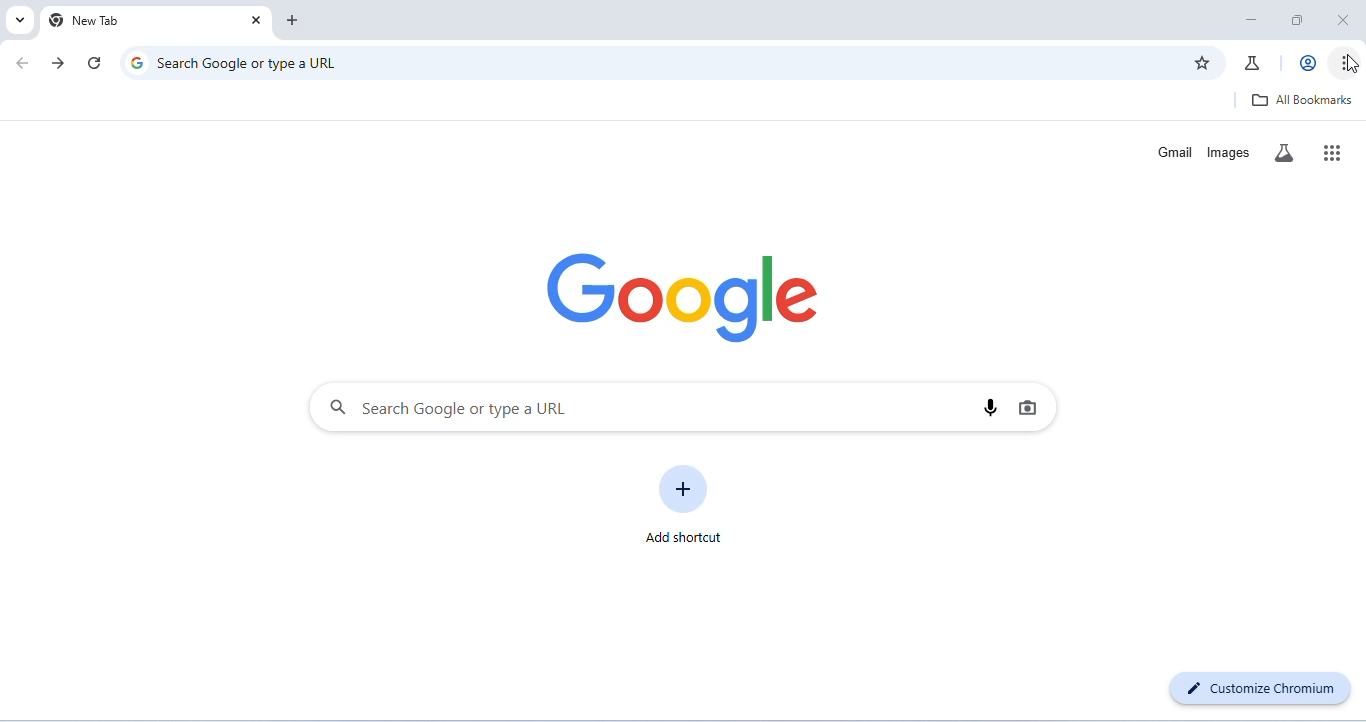 The width and height of the screenshot is (1366, 722). Describe the element at coordinates (254, 20) in the screenshot. I see `close tab` at that location.